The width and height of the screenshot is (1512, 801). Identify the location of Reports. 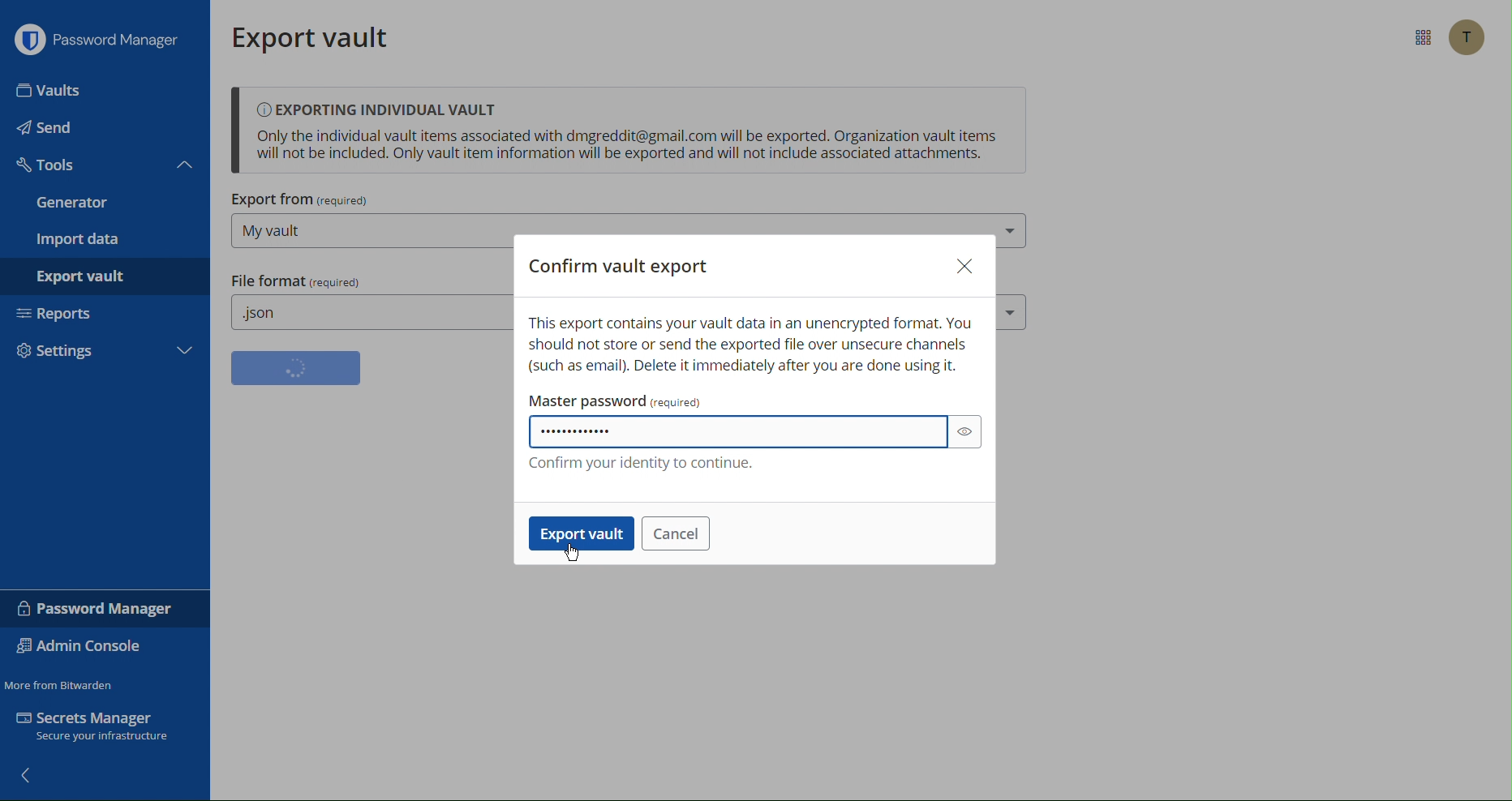
(61, 311).